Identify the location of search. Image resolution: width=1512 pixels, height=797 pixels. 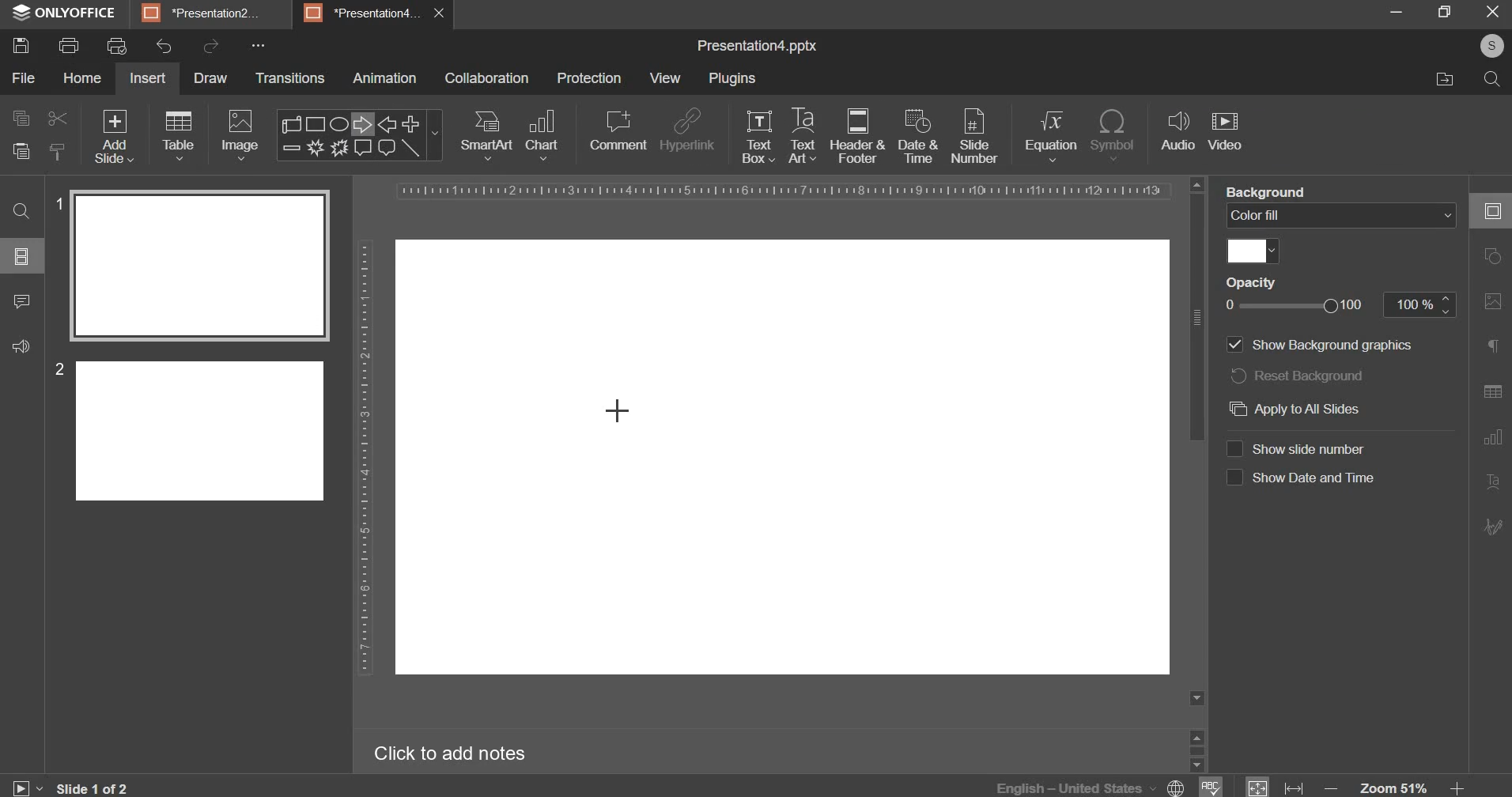
(1487, 77).